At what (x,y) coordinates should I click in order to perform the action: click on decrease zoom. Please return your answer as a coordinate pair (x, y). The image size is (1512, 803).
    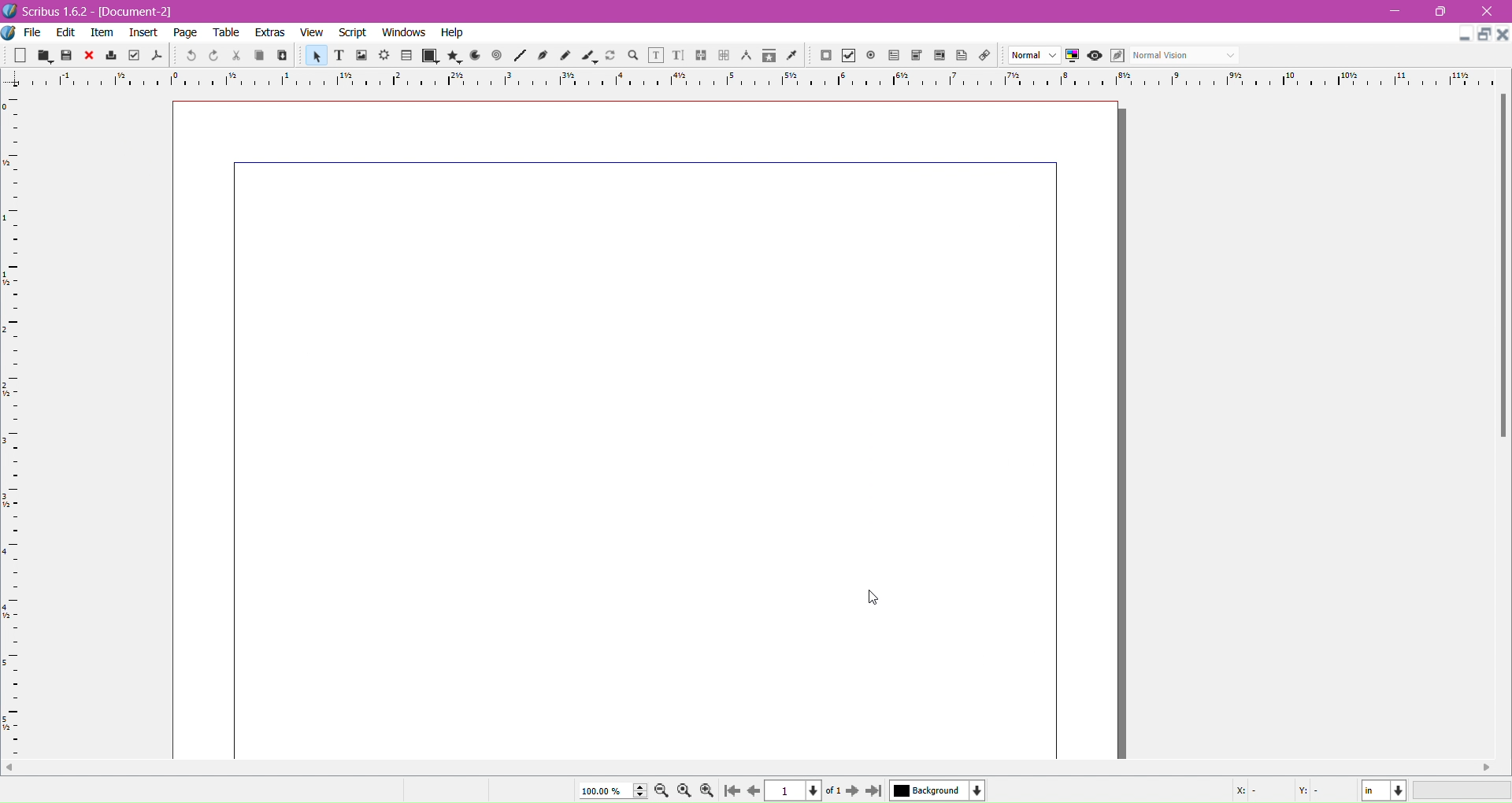
    Looking at the image, I should click on (662, 791).